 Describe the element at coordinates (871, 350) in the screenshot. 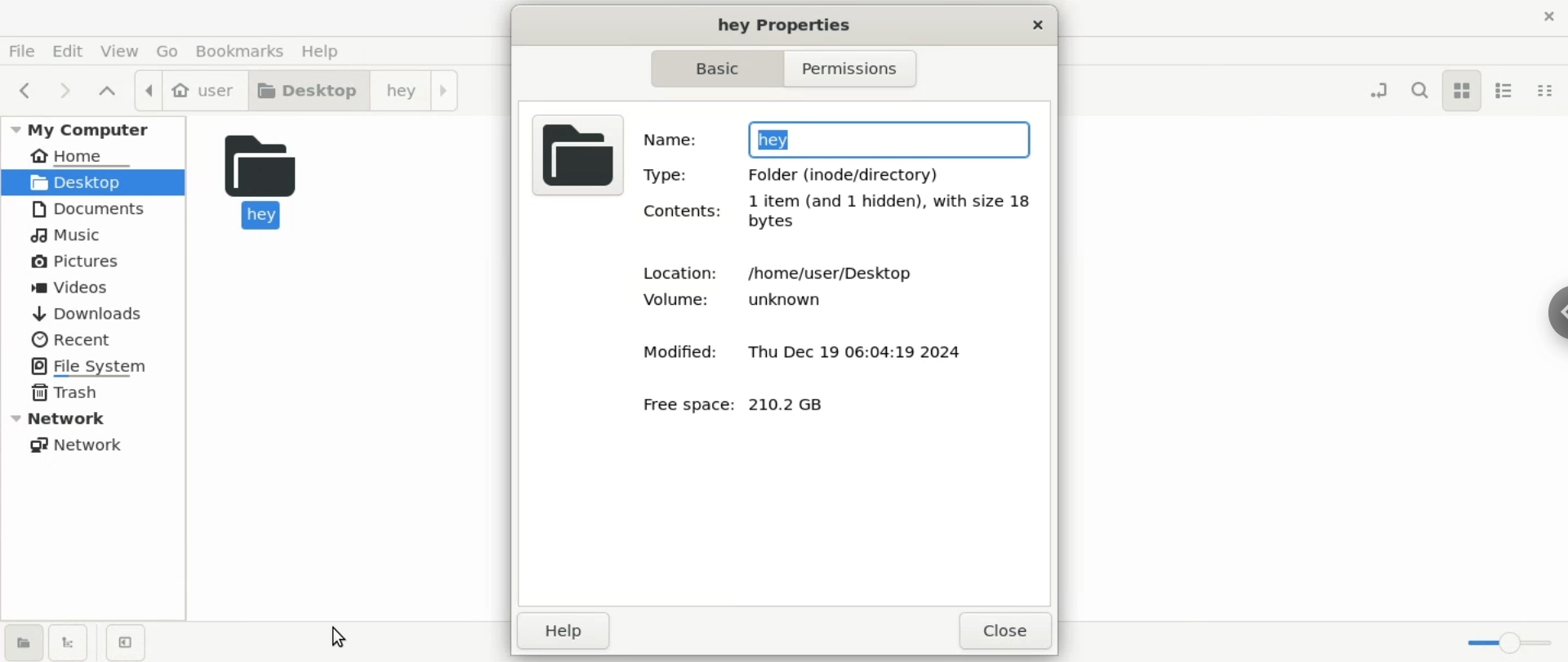

I see `Thu Dec 19 06:04:19 2024` at that location.